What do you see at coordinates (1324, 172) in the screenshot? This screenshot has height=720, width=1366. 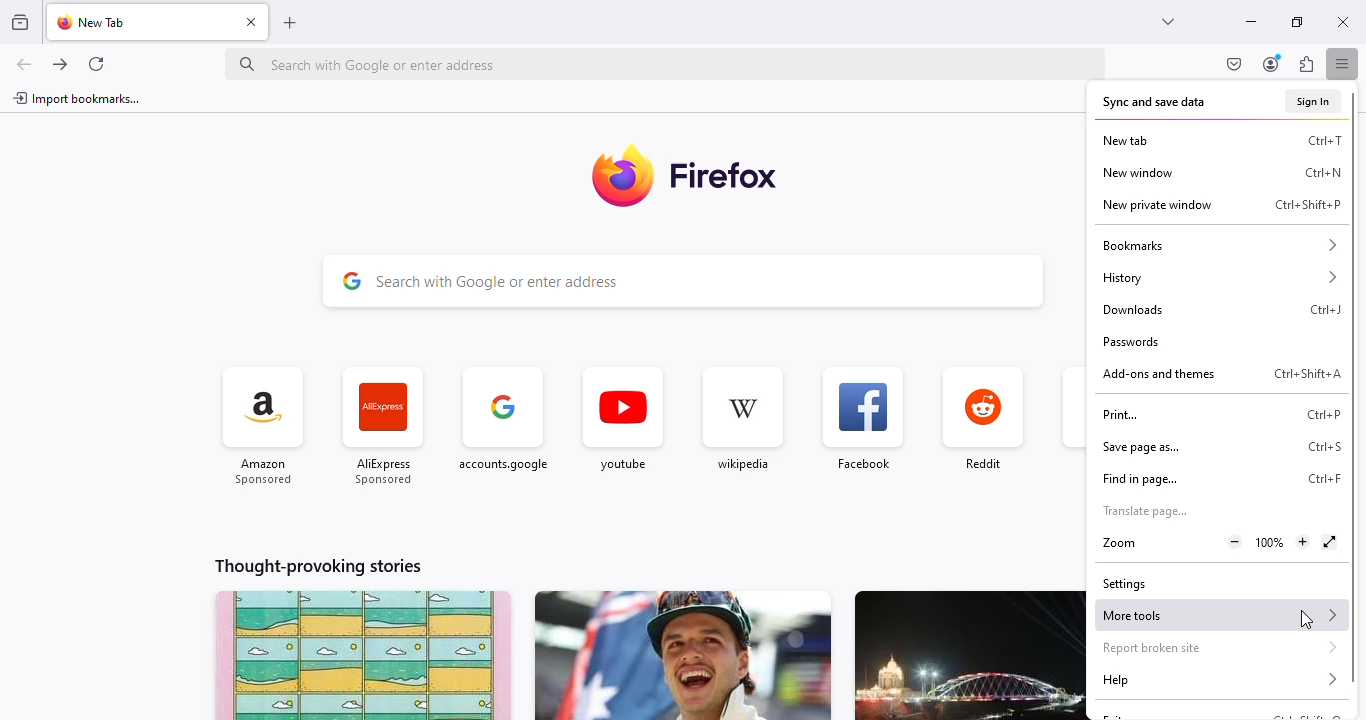 I see `shortcut for new window` at bounding box center [1324, 172].